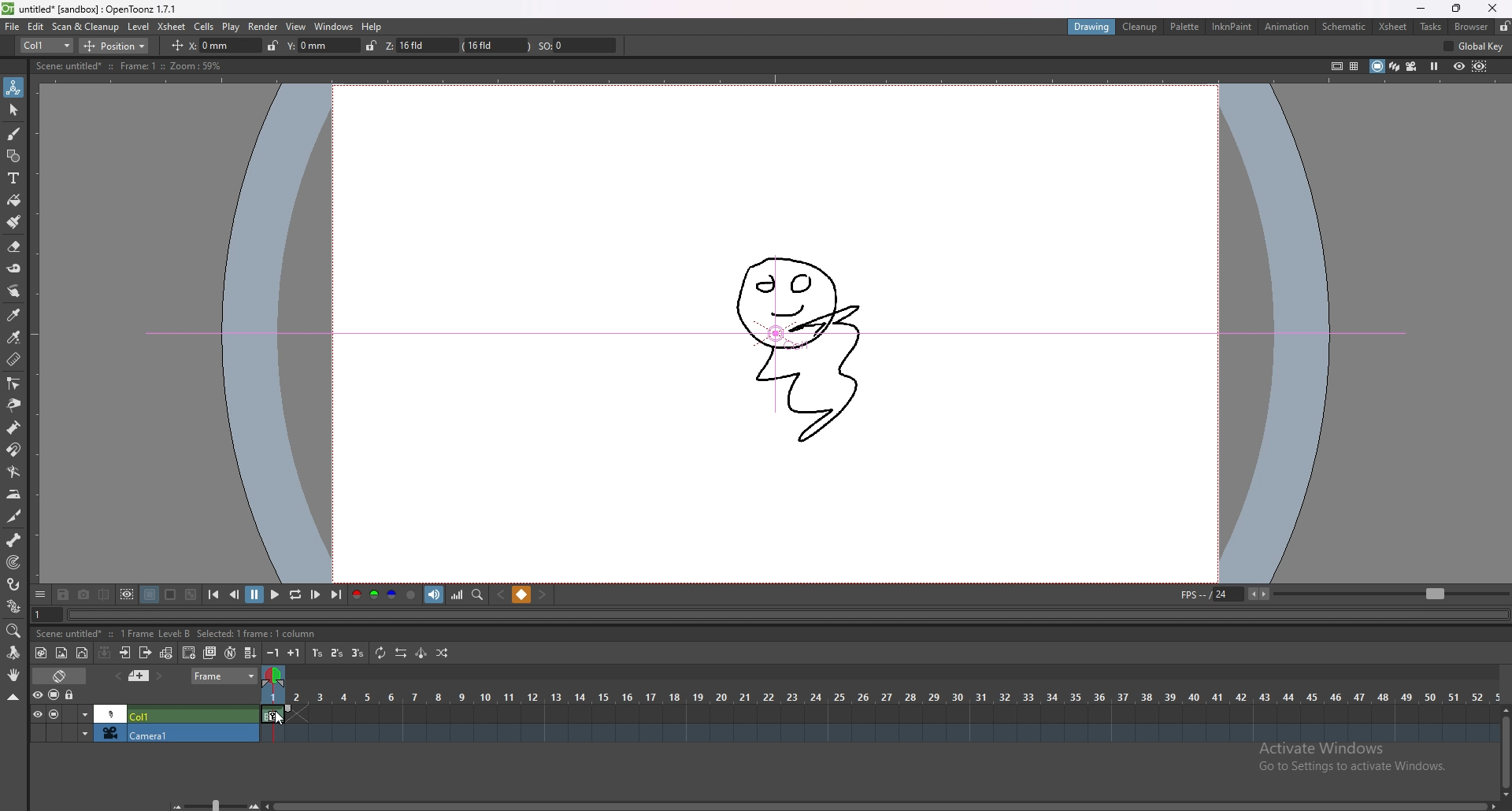 The width and height of the screenshot is (1512, 811). I want to click on X coordinates, so click(203, 45).